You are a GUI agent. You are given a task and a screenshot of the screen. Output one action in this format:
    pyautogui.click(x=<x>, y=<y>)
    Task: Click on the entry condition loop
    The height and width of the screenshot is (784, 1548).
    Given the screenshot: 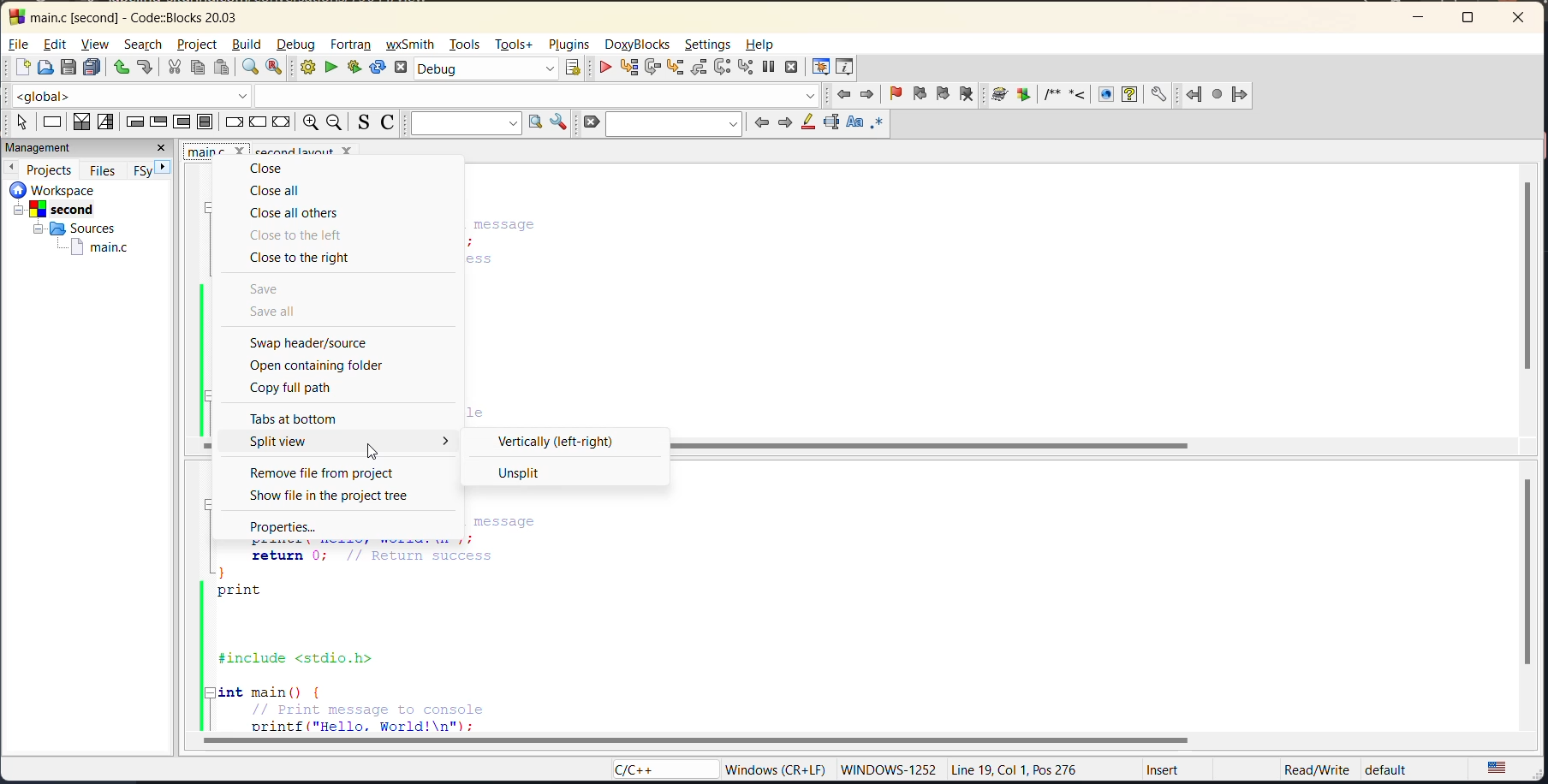 What is the action you would take?
    pyautogui.click(x=134, y=122)
    